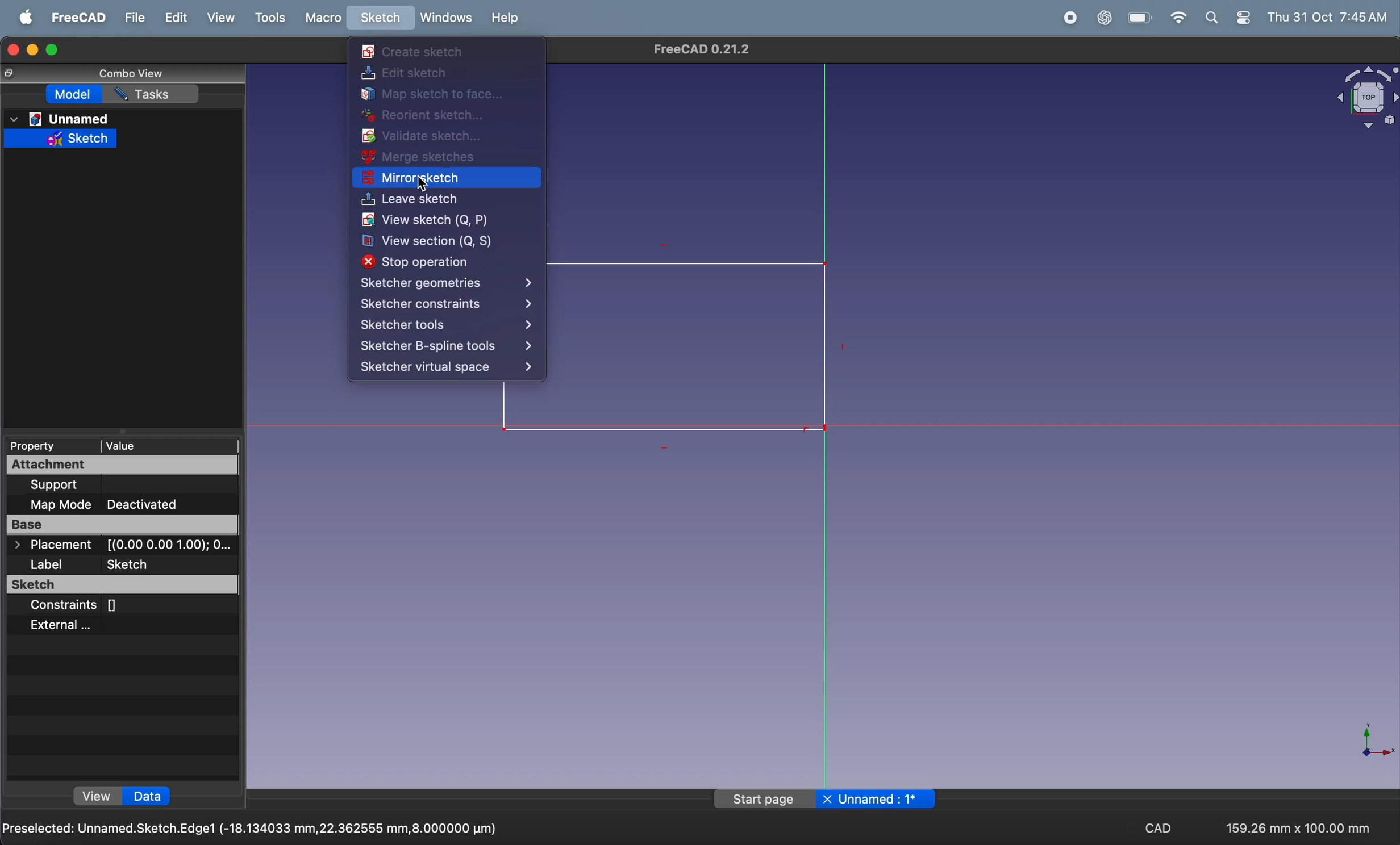 The image size is (1400, 845). Describe the element at coordinates (320, 19) in the screenshot. I see `marco` at that location.